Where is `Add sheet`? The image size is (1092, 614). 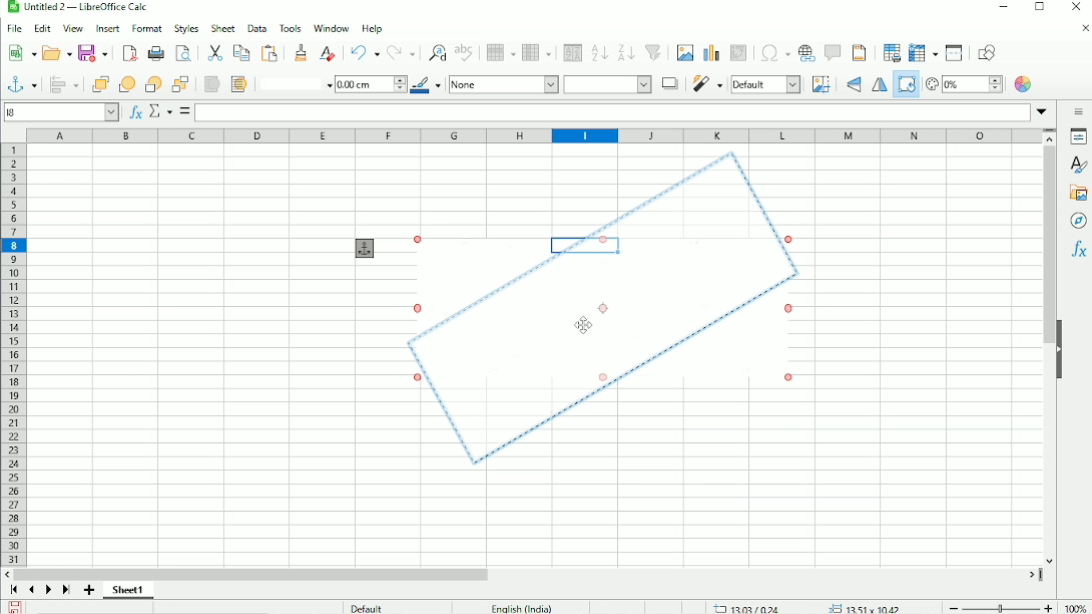 Add sheet is located at coordinates (88, 590).